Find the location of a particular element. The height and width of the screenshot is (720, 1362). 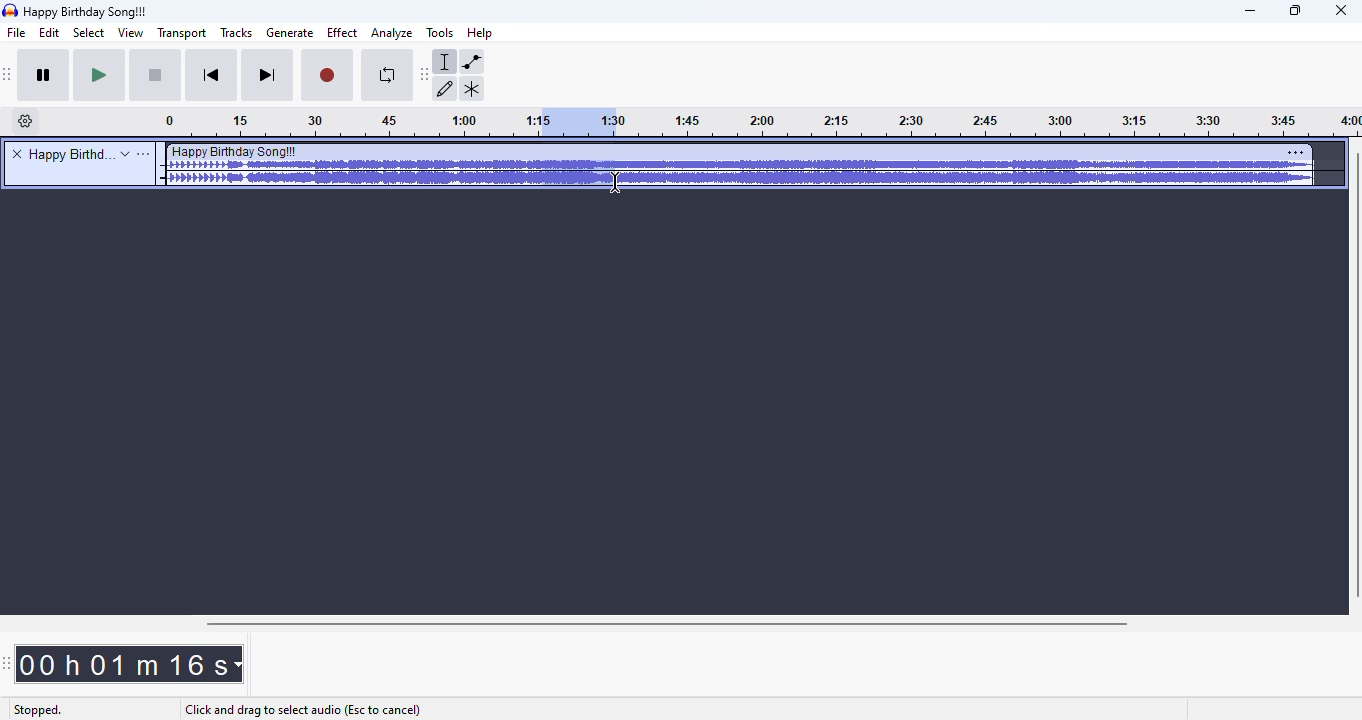

play is located at coordinates (100, 76).